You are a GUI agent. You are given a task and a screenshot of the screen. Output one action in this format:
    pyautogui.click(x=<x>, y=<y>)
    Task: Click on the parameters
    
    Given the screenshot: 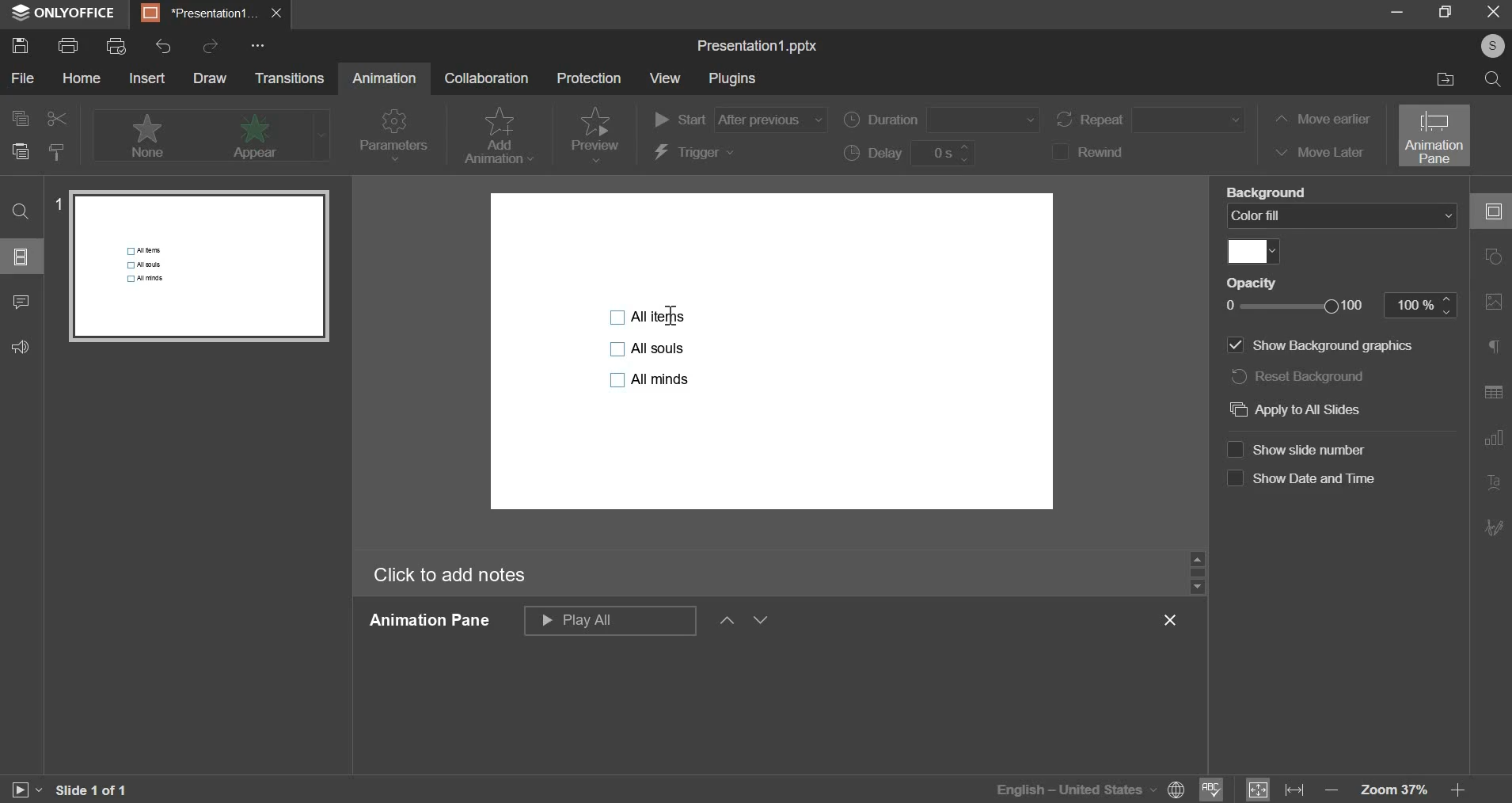 What is the action you would take?
    pyautogui.click(x=394, y=137)
    